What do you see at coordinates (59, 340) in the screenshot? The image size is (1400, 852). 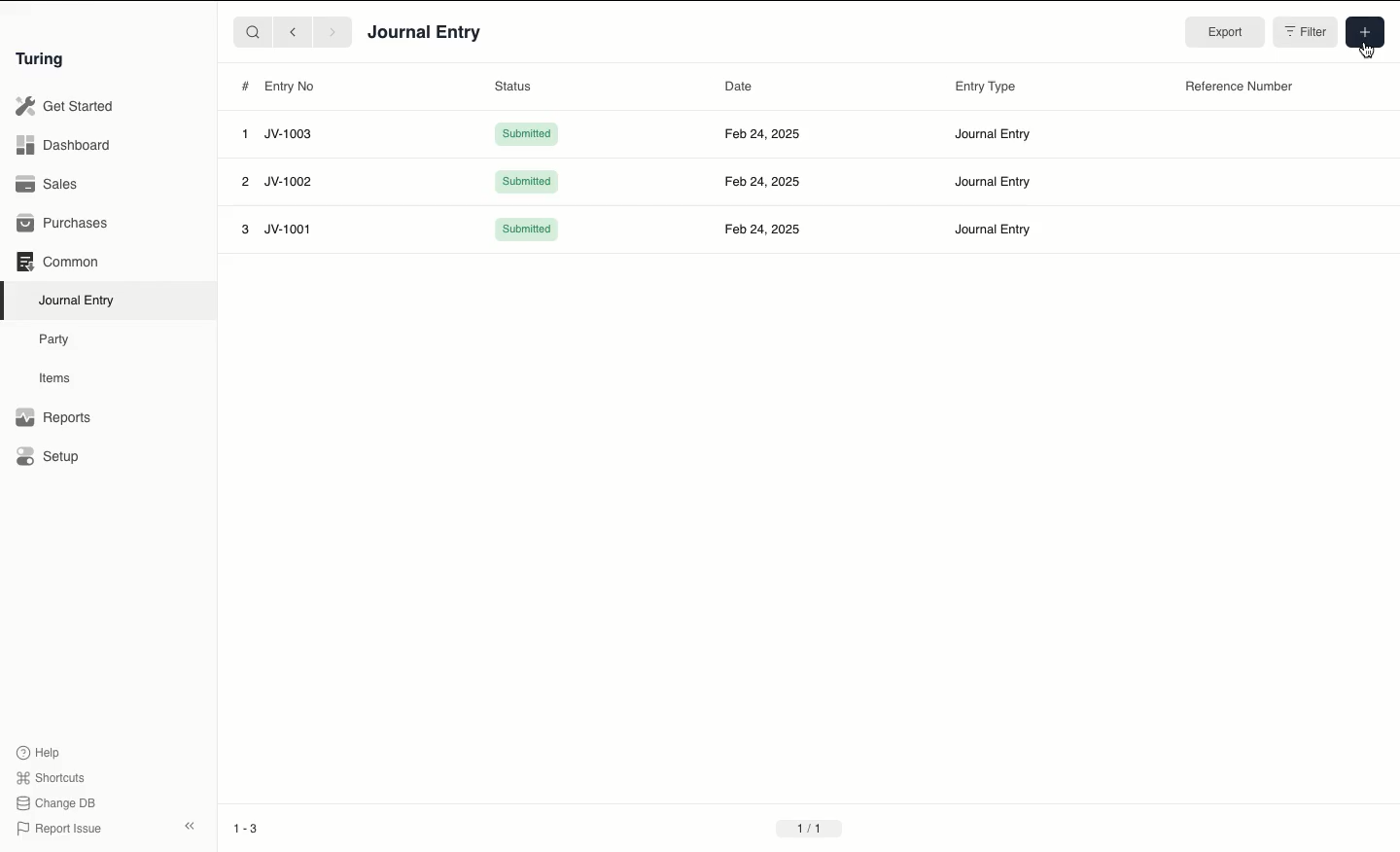 I see `Party` at bounding box center [59, 340].